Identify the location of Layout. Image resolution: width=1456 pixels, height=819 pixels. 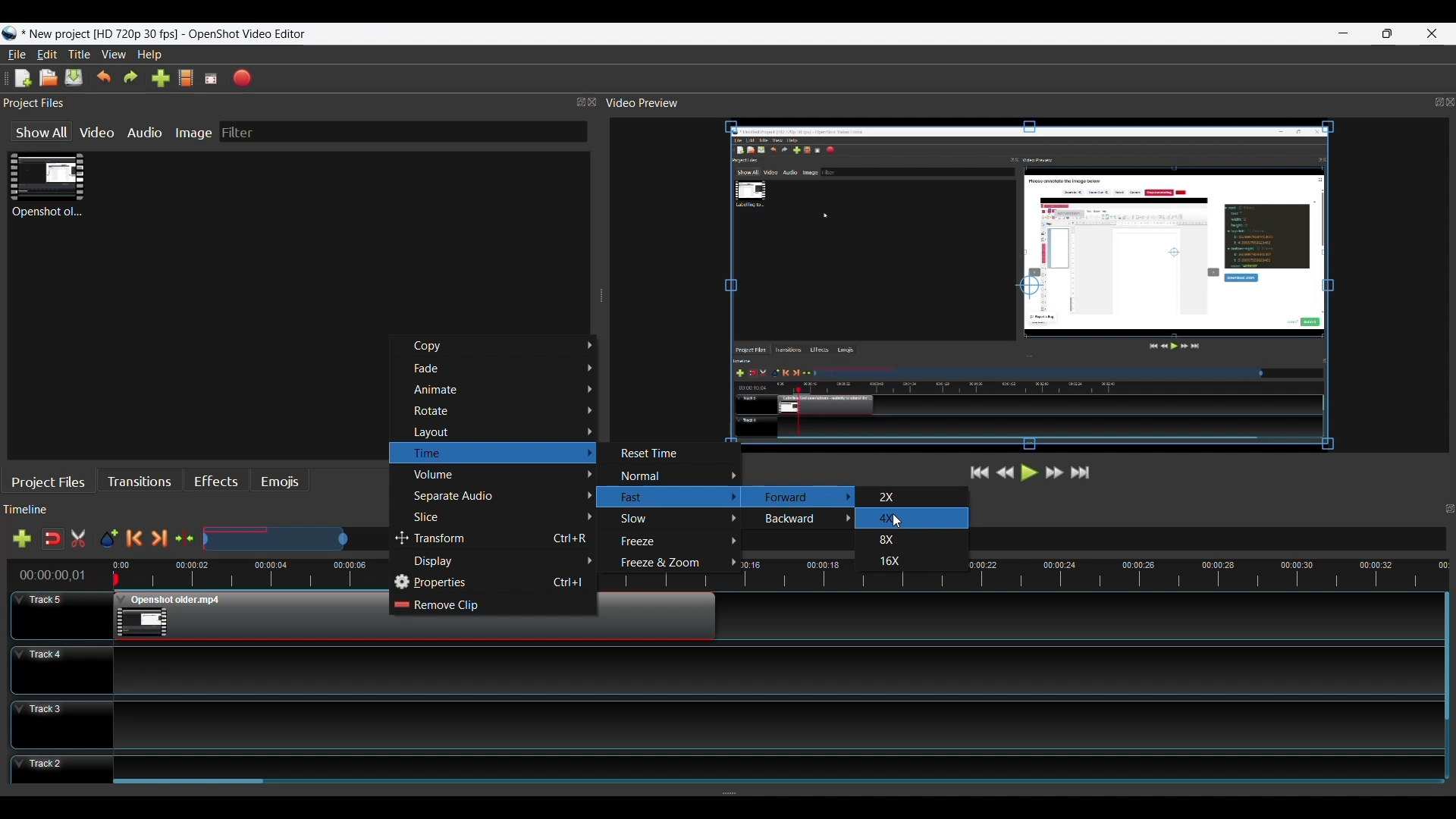
(501, 432).